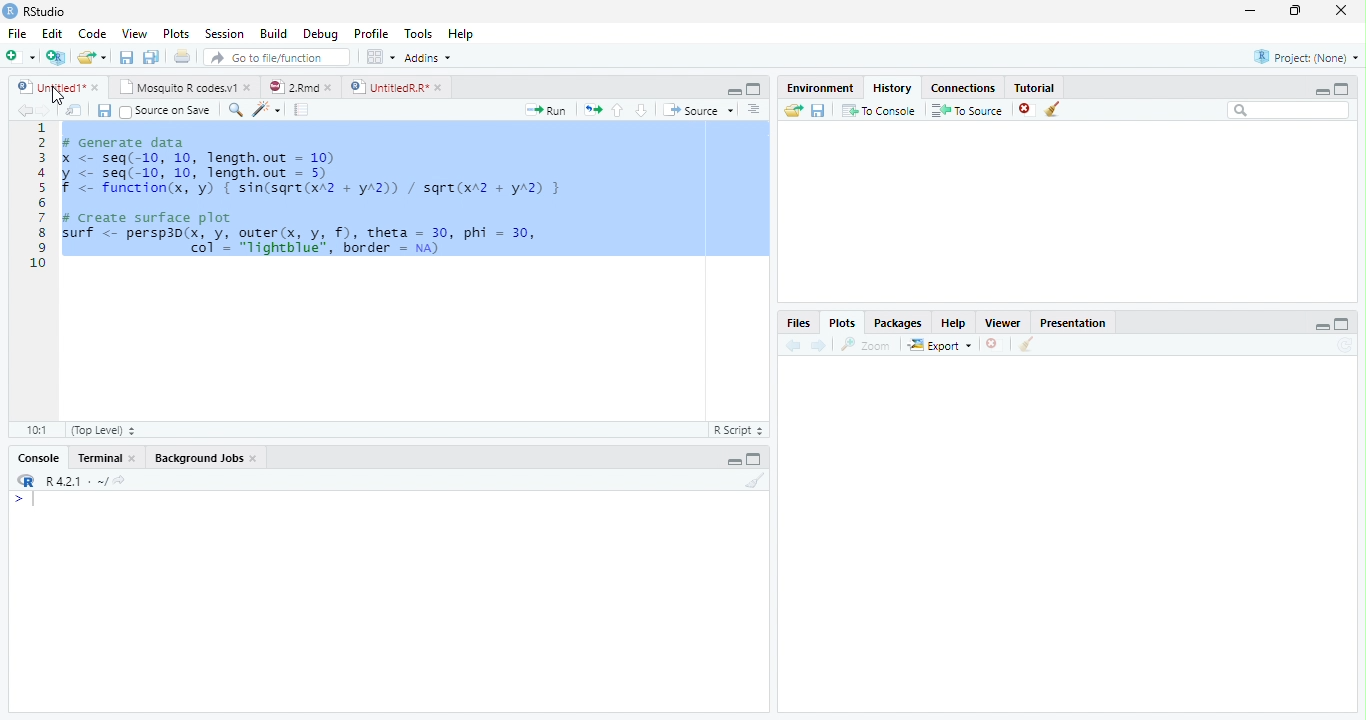  I want to click on Print the current file, so click(182, 55).